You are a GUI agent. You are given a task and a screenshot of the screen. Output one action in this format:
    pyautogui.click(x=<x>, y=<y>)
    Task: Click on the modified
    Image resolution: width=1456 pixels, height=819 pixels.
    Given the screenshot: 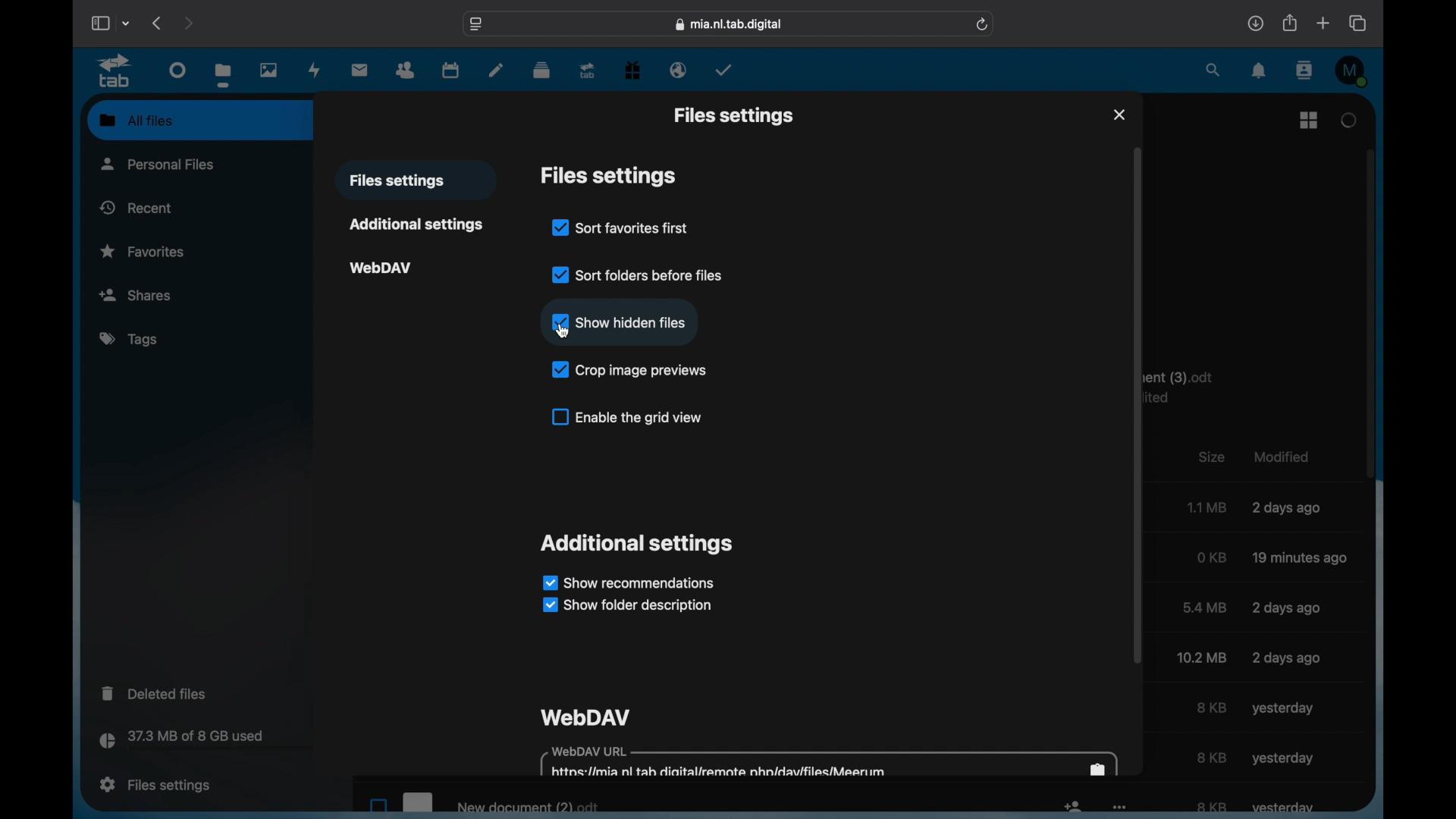 What is the action you would take?
    pyautogui.click(x=1283, y=457)
    